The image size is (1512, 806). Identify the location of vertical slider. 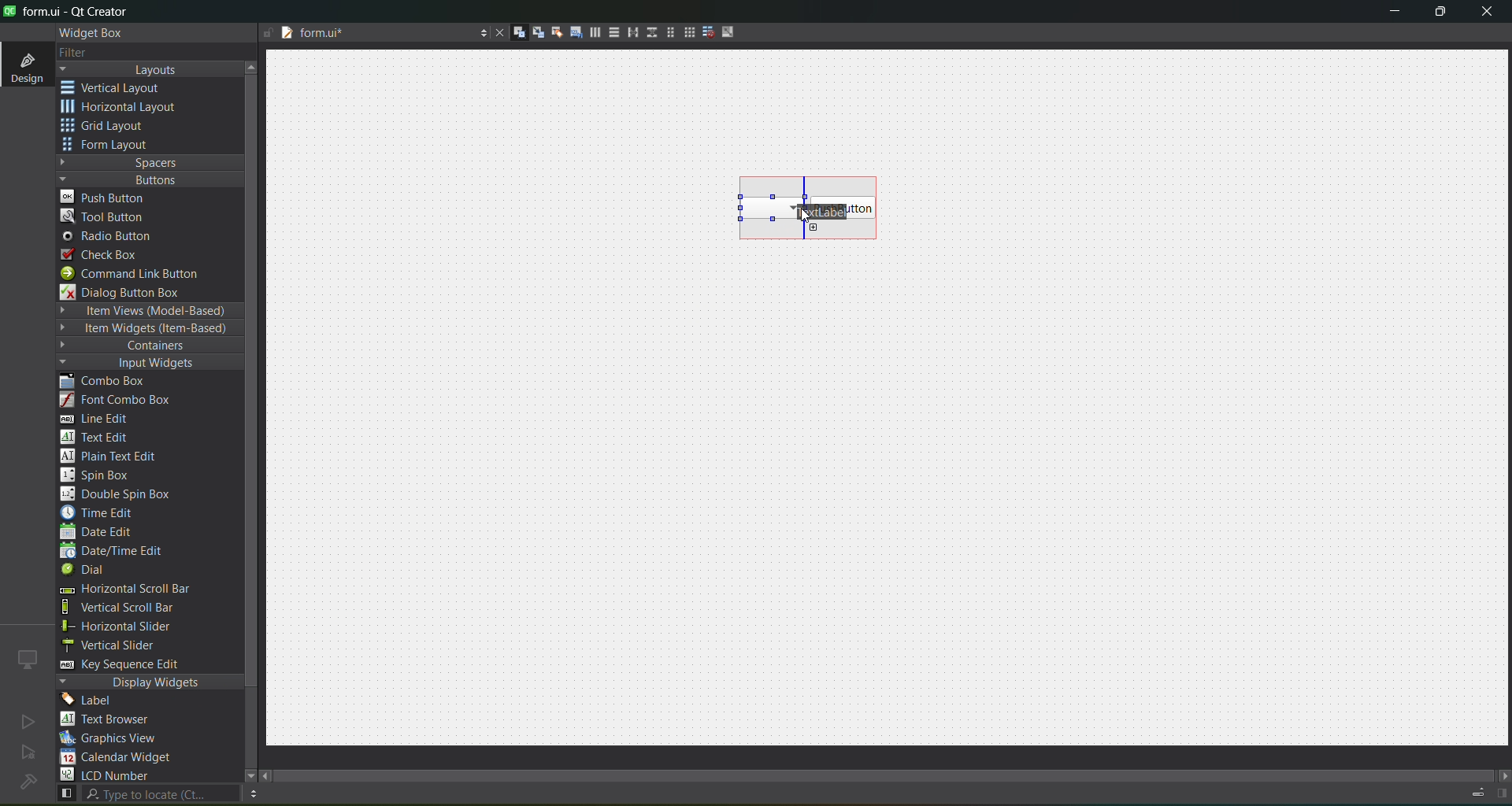
(124, 645).